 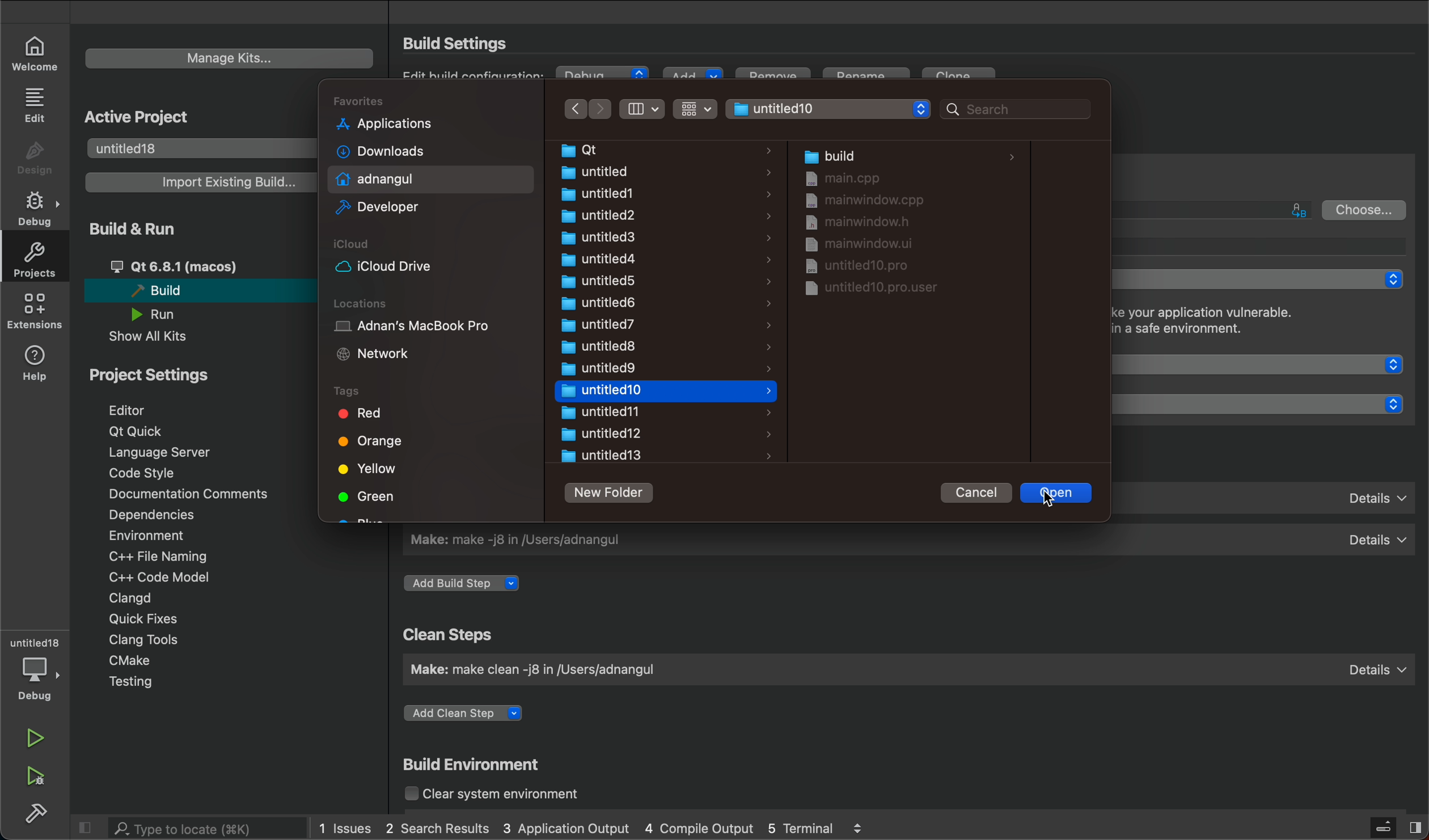 I want to click on adnangul, so click(x=828, y=109).